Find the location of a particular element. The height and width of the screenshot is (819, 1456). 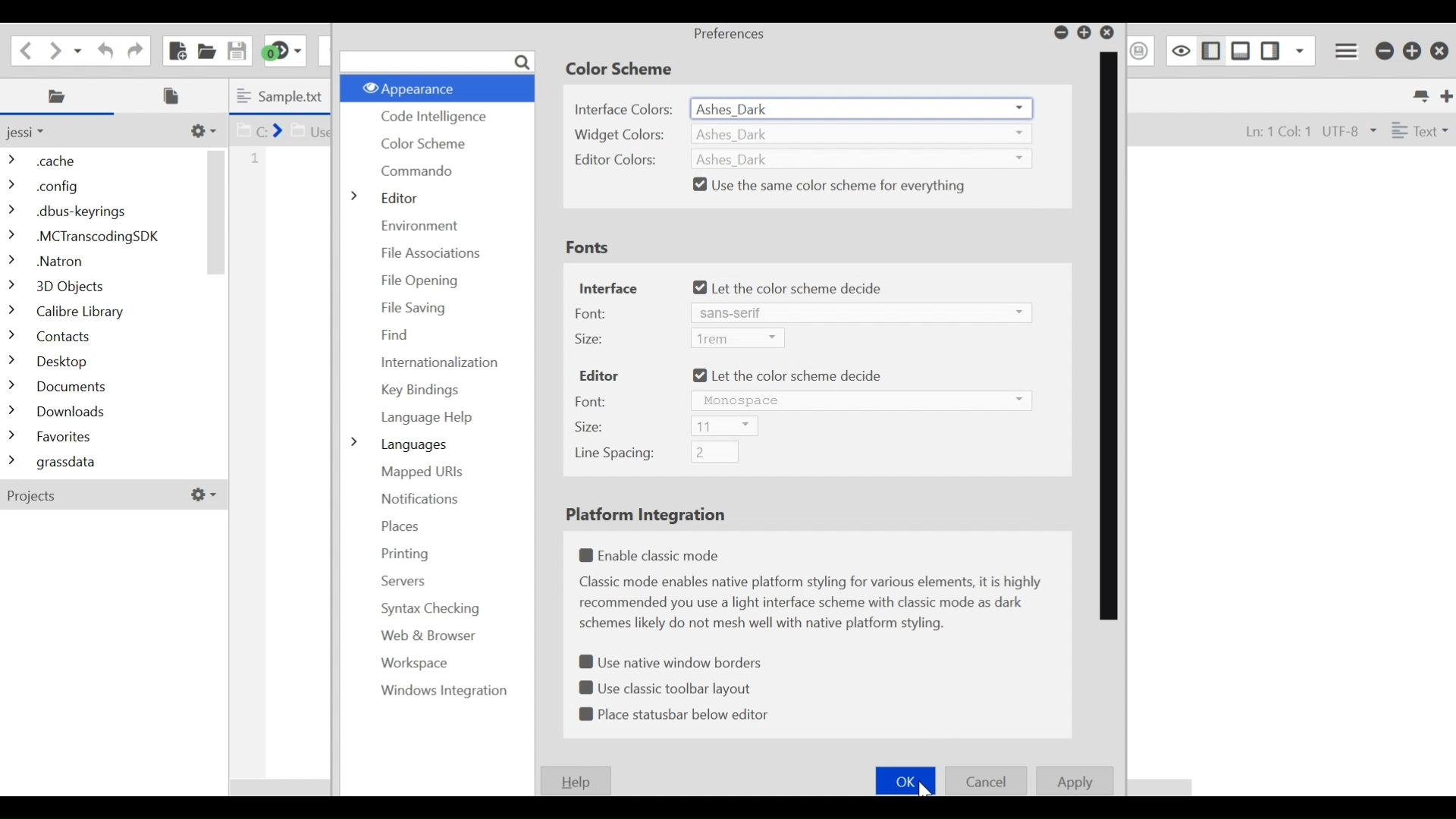

Show/Hide Right pane is located at coordinates (1209, 49).